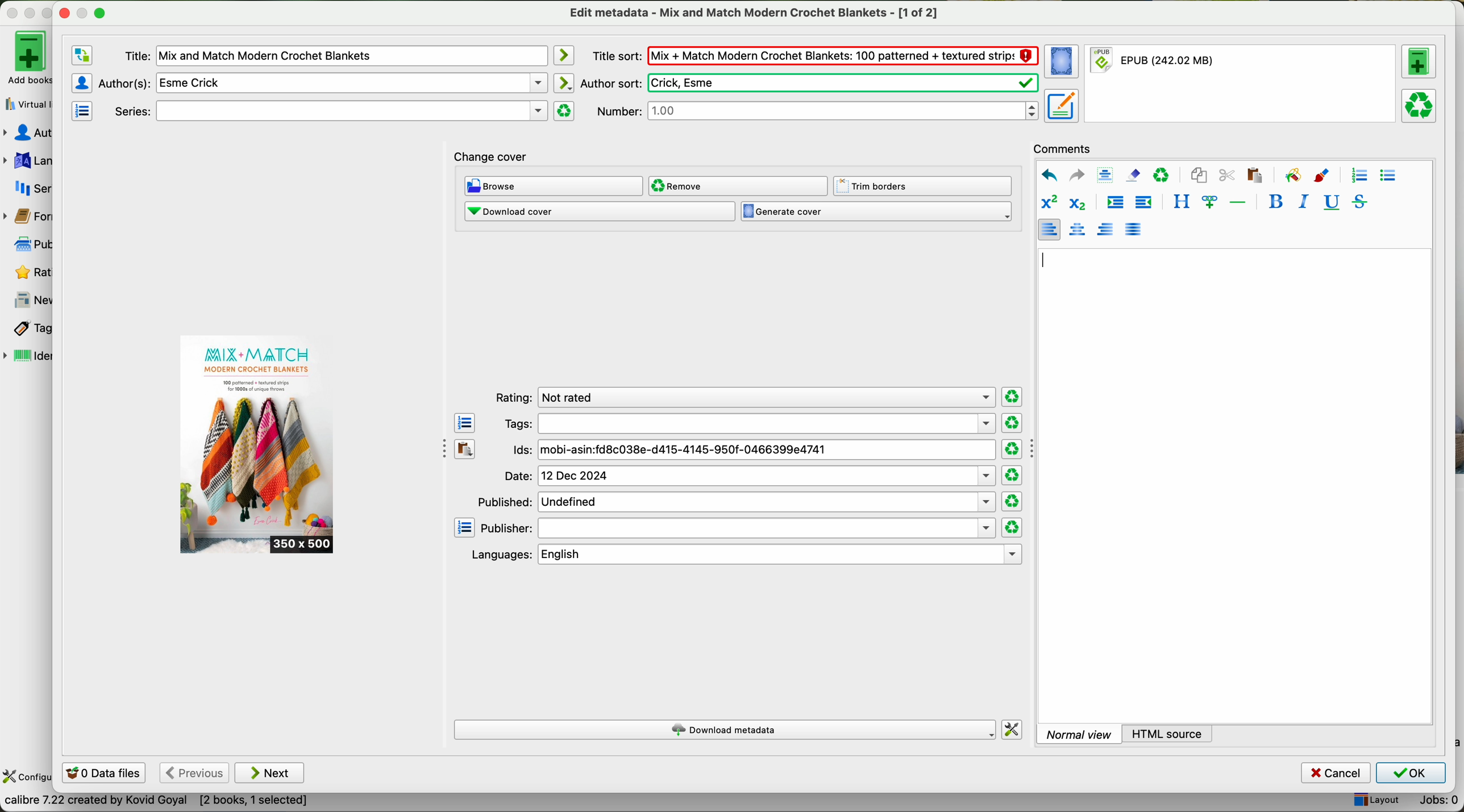 This screenshot has width=1464, height=812. Describe the element at coordinates (86, 12) in the screenshot. I see `disable minimize window` at that location.